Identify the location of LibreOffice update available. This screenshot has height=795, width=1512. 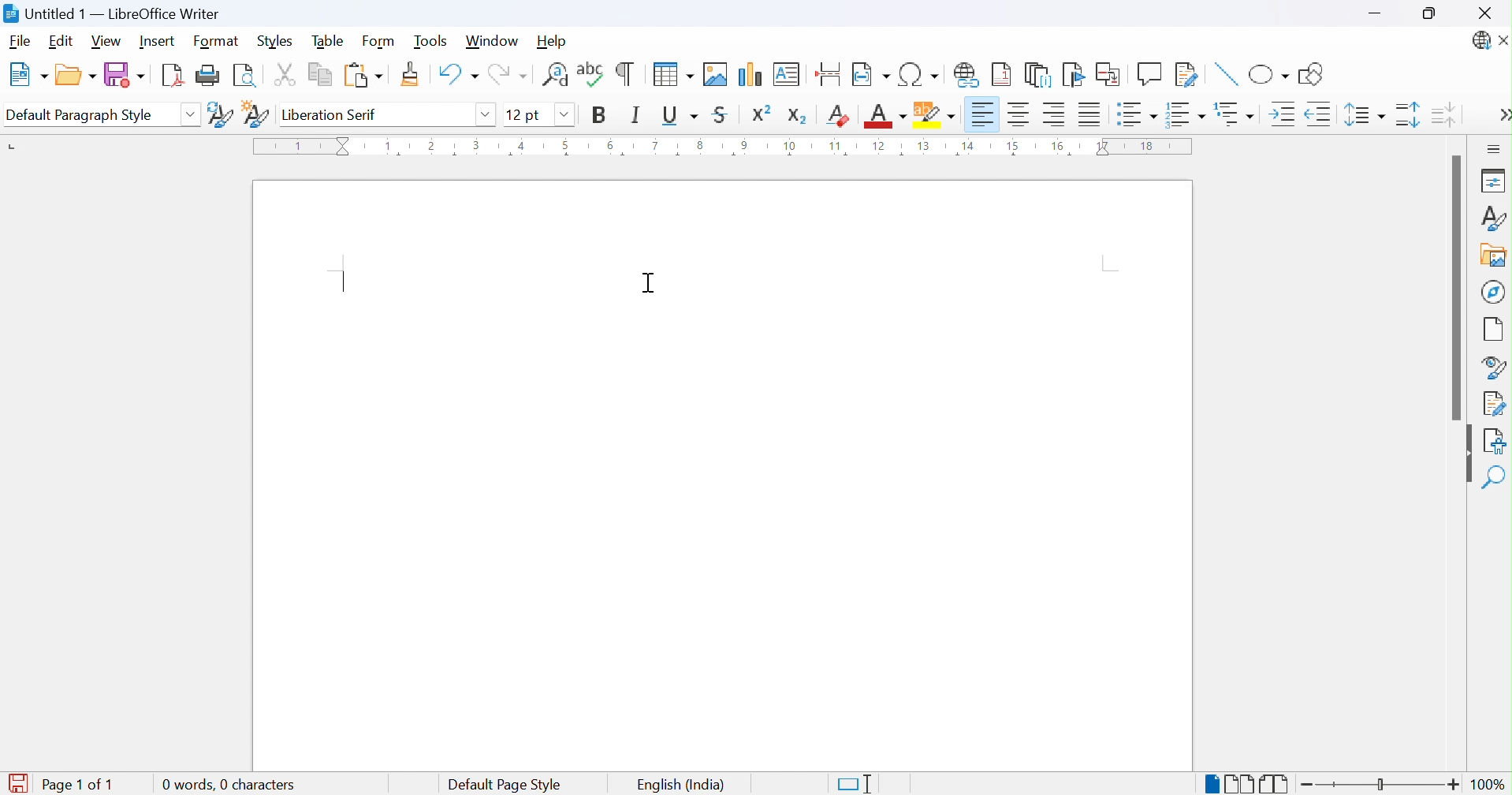
(1483, 41).